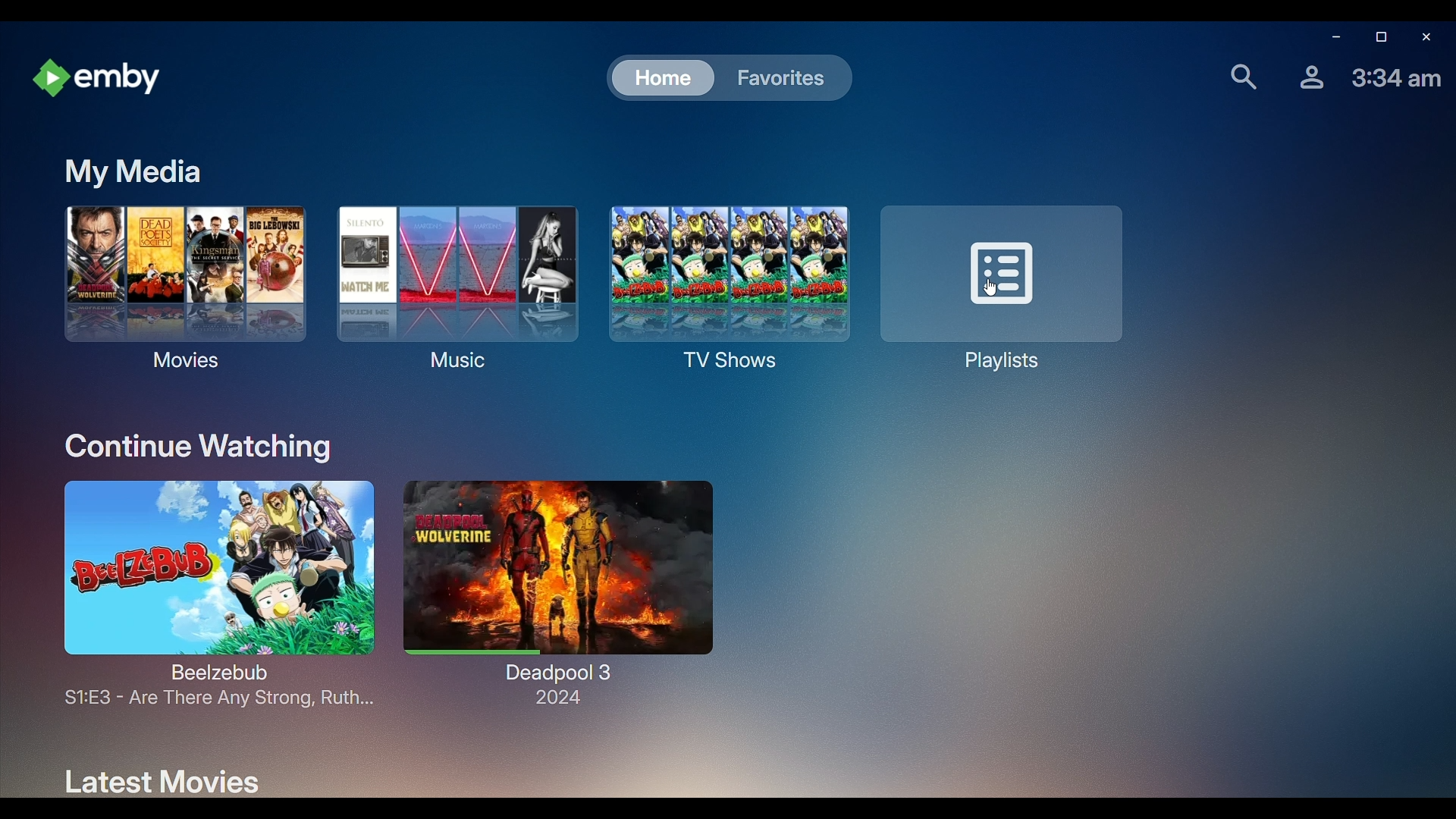 This screenshot has width=1456, height=819. What do you see at coordinates (198, 444) in the screenshot?
I see `Continue Watching` at bounding box center [198, 444].